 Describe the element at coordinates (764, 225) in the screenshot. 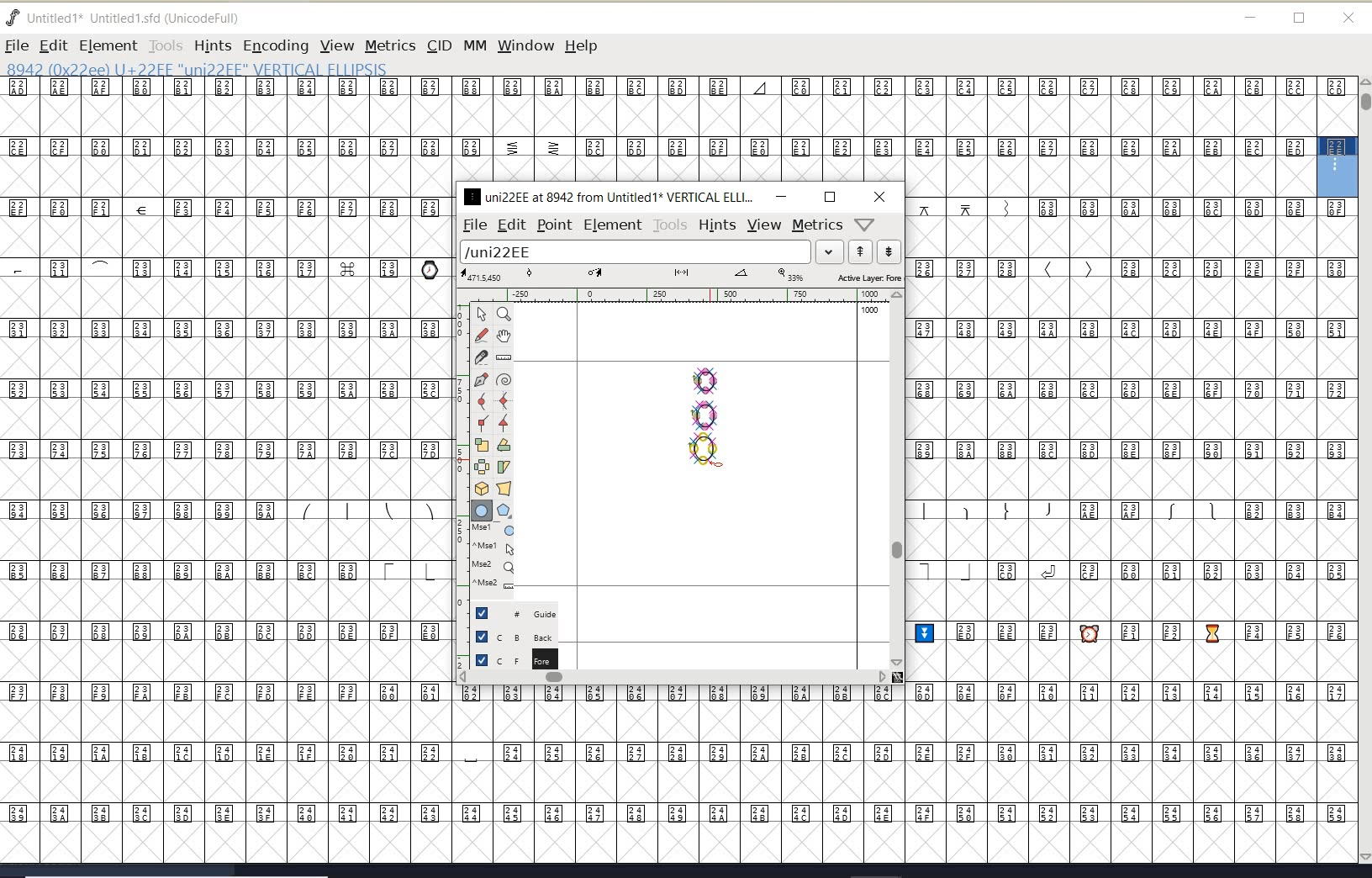

I see `view` at that location.